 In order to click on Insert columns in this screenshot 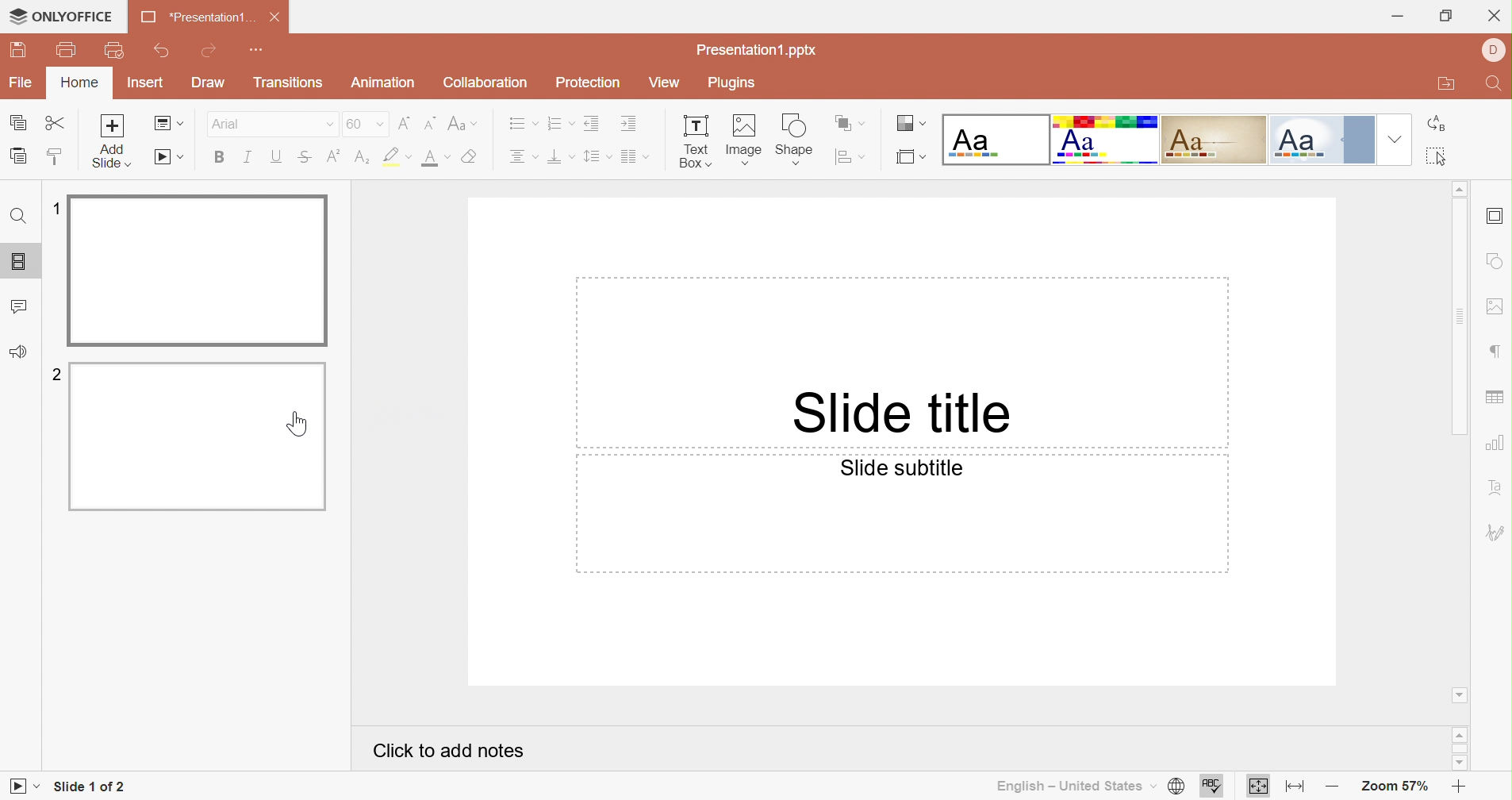, I will do `click(635, 157)`.